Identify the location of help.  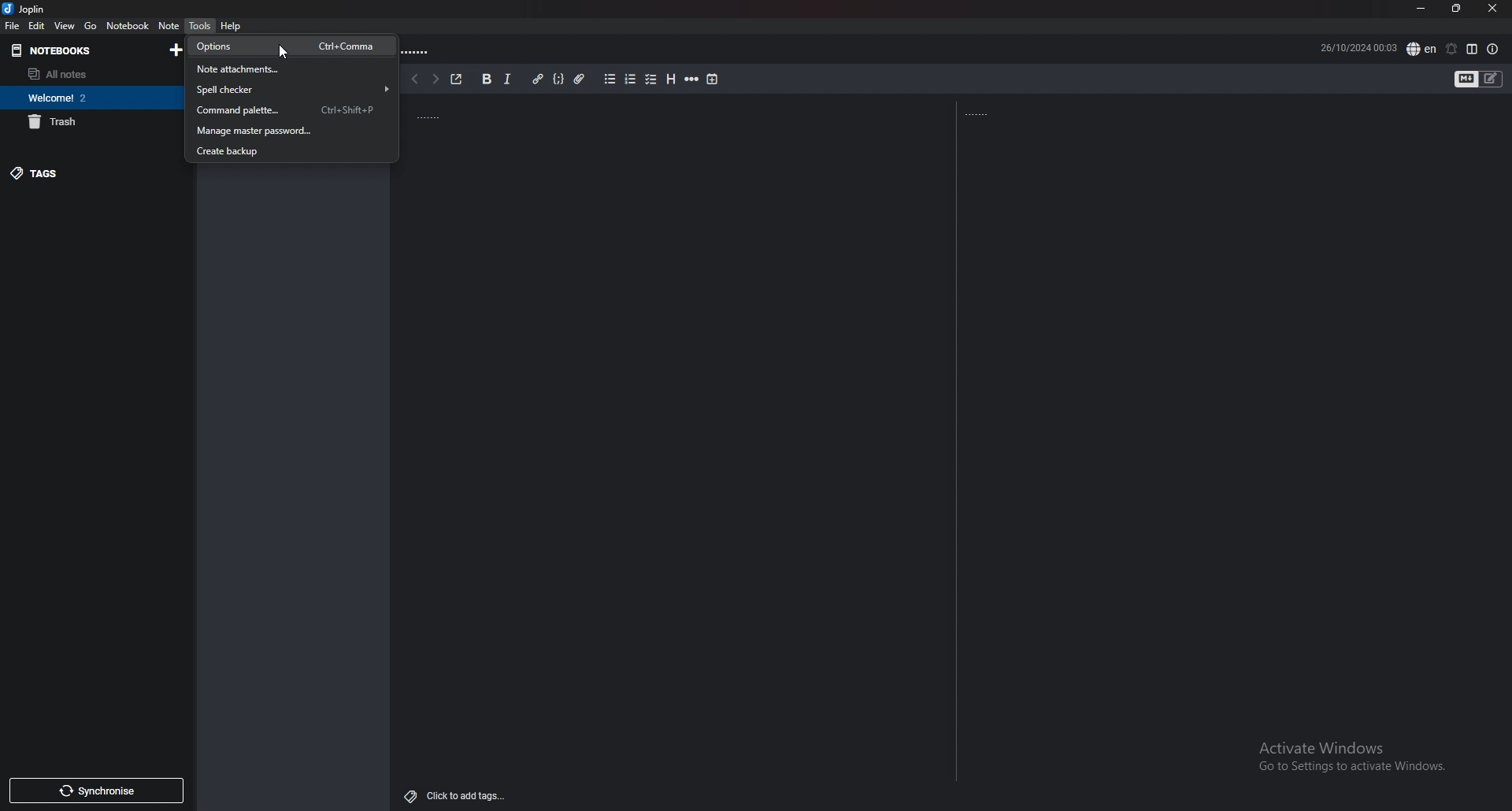
(230, 27).